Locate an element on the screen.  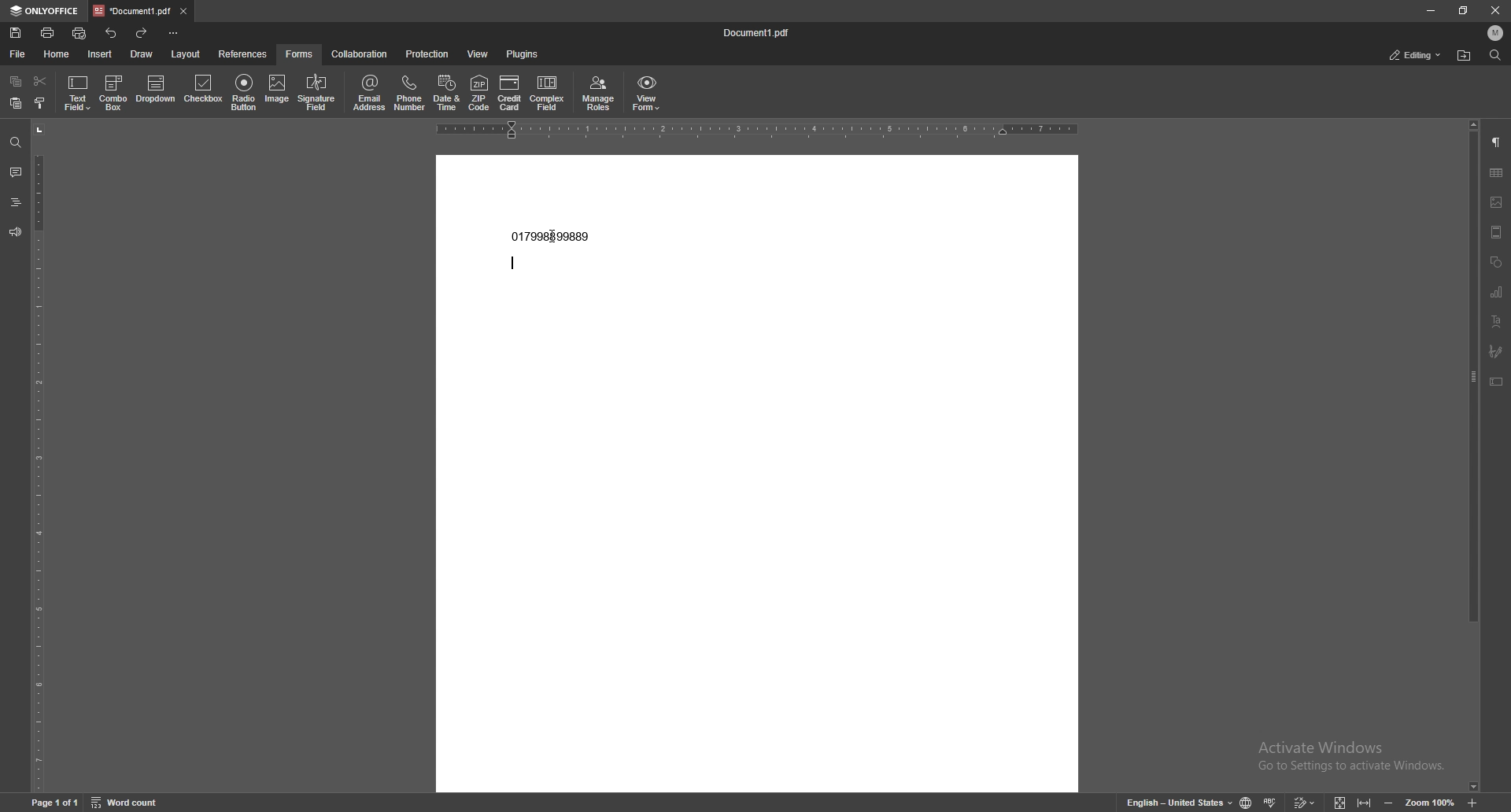
status is located at coordinates (1416, 55).